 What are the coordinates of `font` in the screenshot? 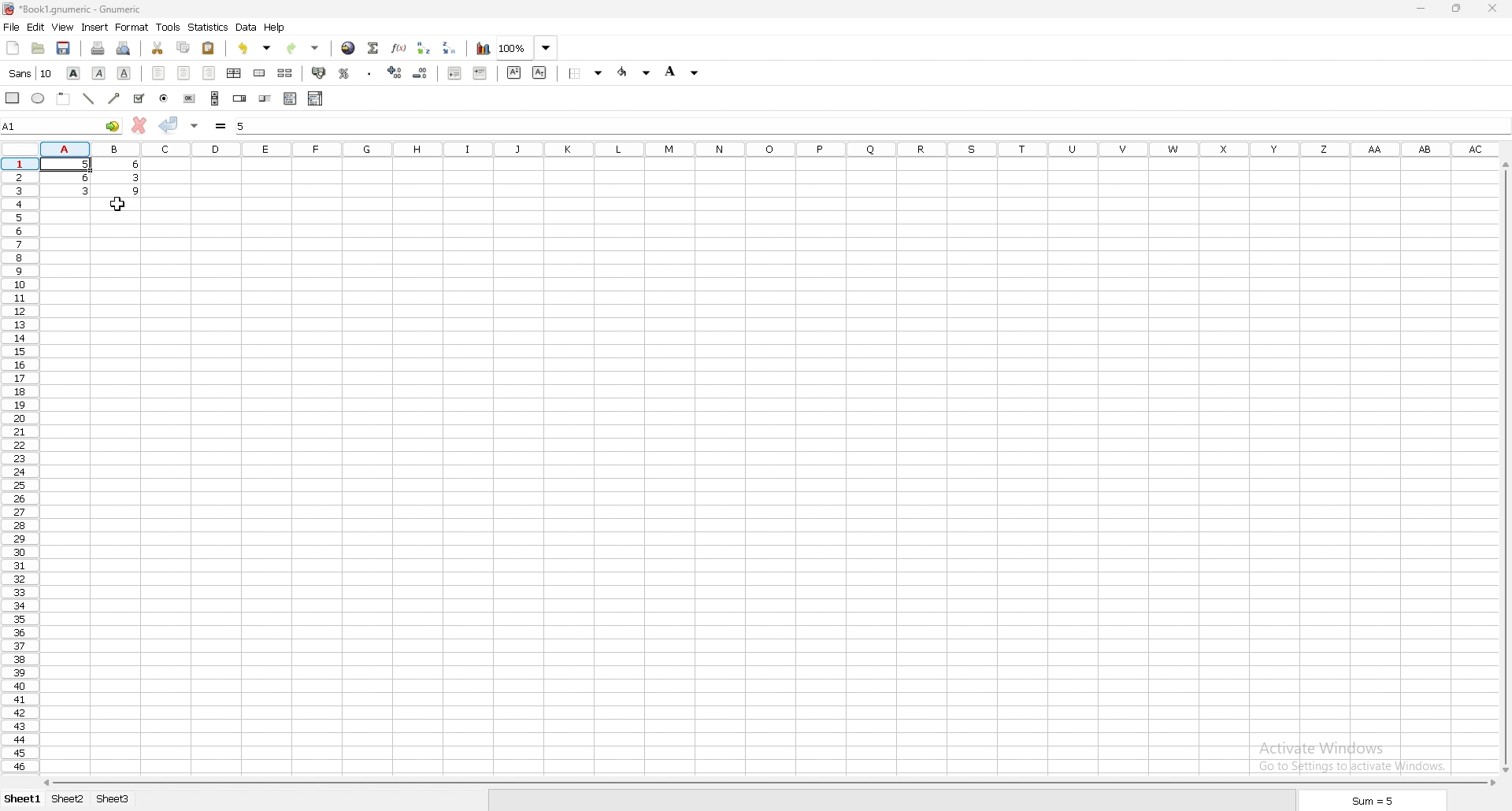 It's located at (31, 73).